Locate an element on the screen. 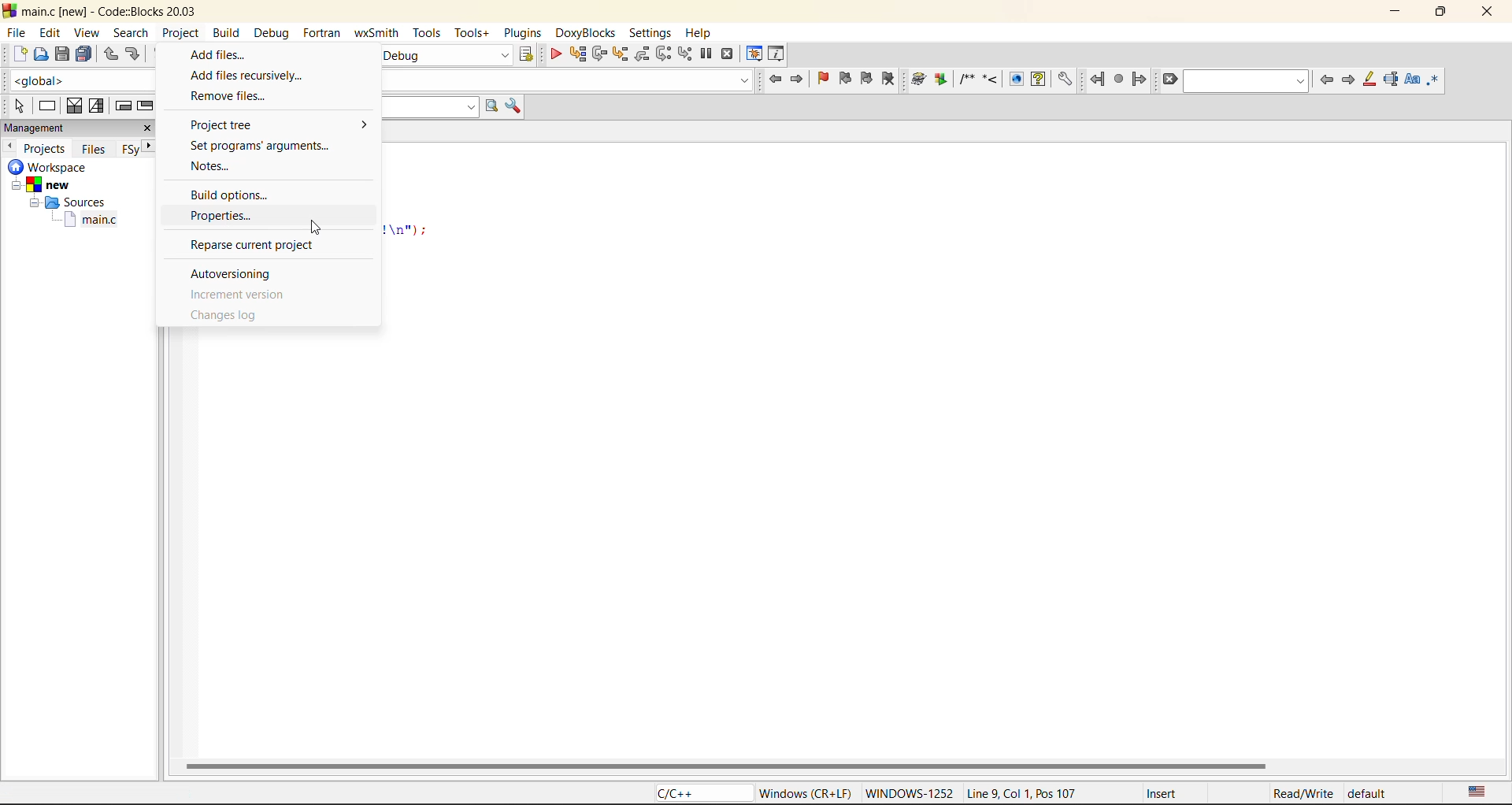 Image resolution: width=1512 pixels, height=805 pixels. toggle bookmark is located at coordinates (825, 78).